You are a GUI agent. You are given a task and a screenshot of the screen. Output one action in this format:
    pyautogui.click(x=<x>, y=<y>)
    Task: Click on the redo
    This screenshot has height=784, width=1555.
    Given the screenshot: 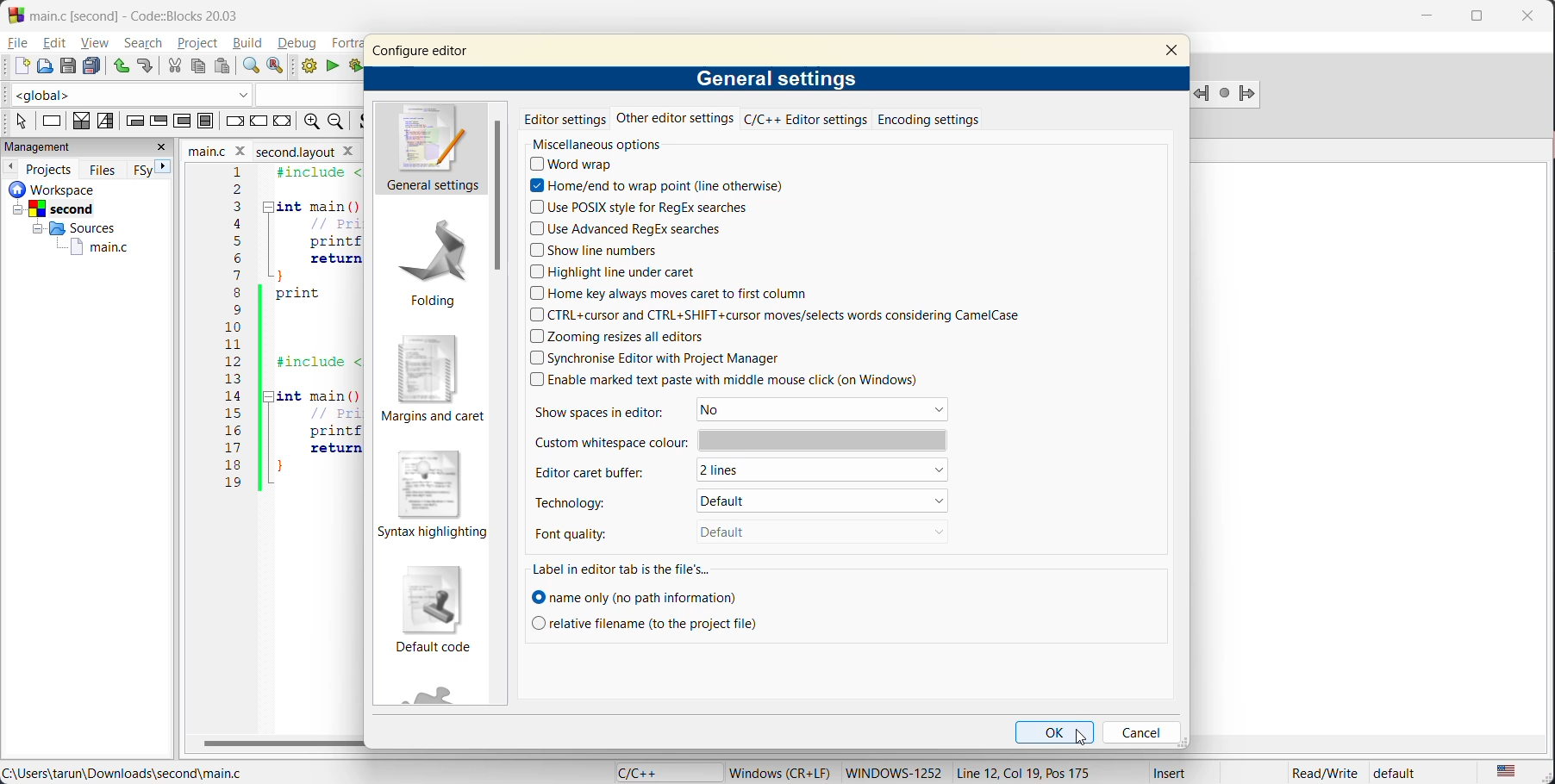 What is the action you would take?
    pyautogui.click(x=146, y=68)
    